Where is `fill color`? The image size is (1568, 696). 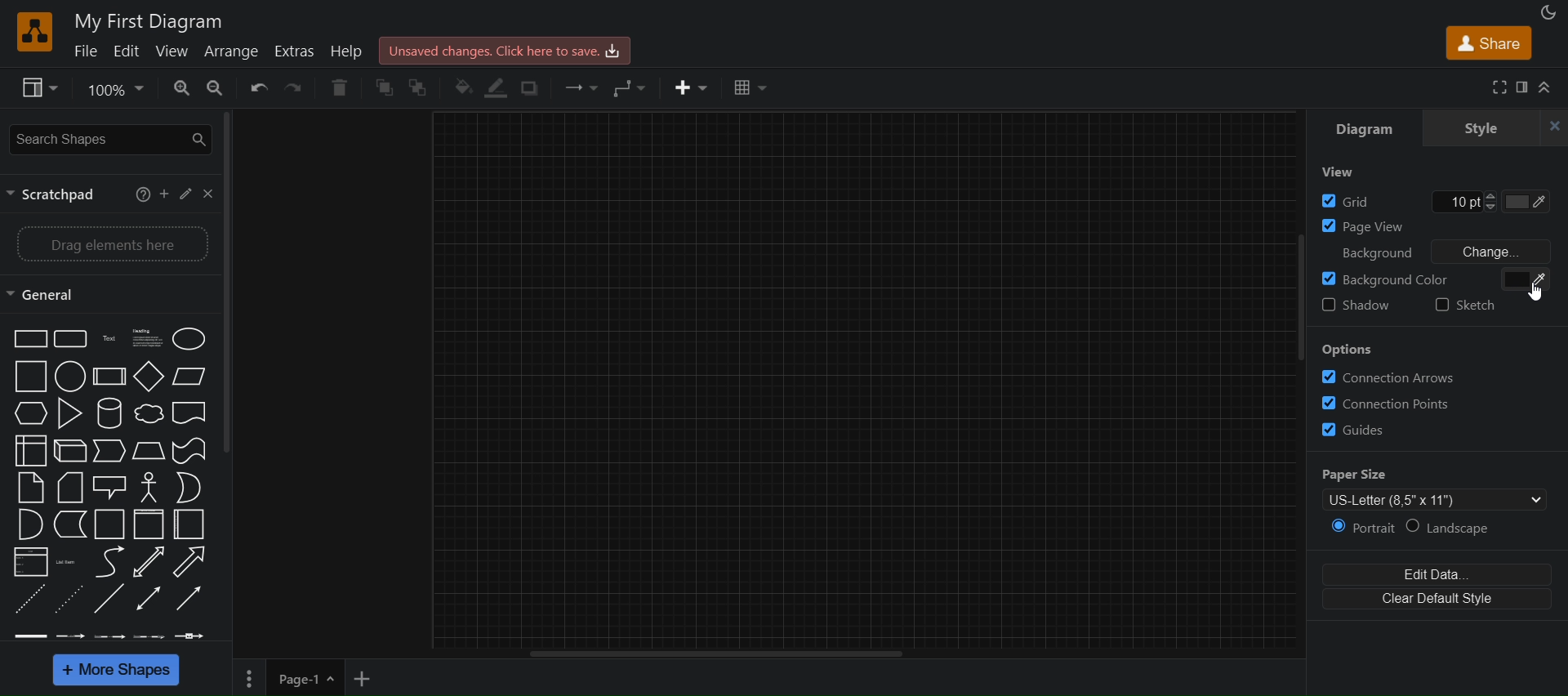
fill color is located at coordinates (463, 90).